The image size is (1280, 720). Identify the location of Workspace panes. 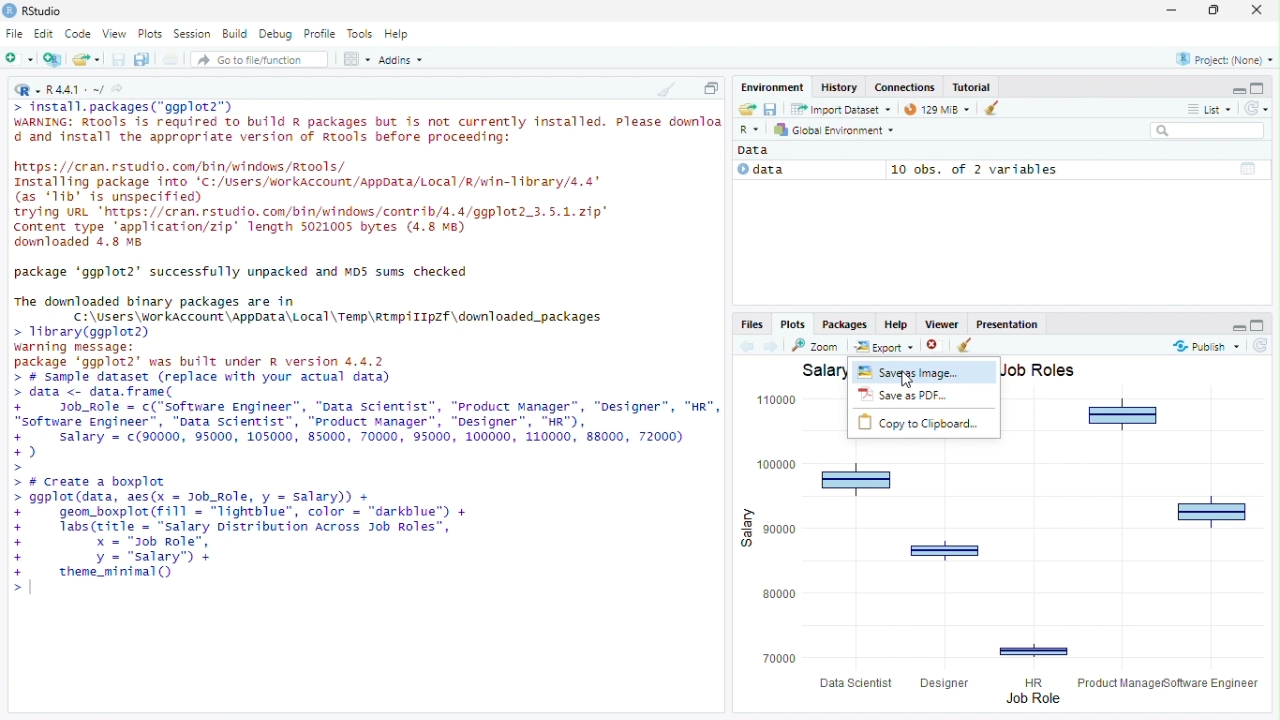
(356, 58).